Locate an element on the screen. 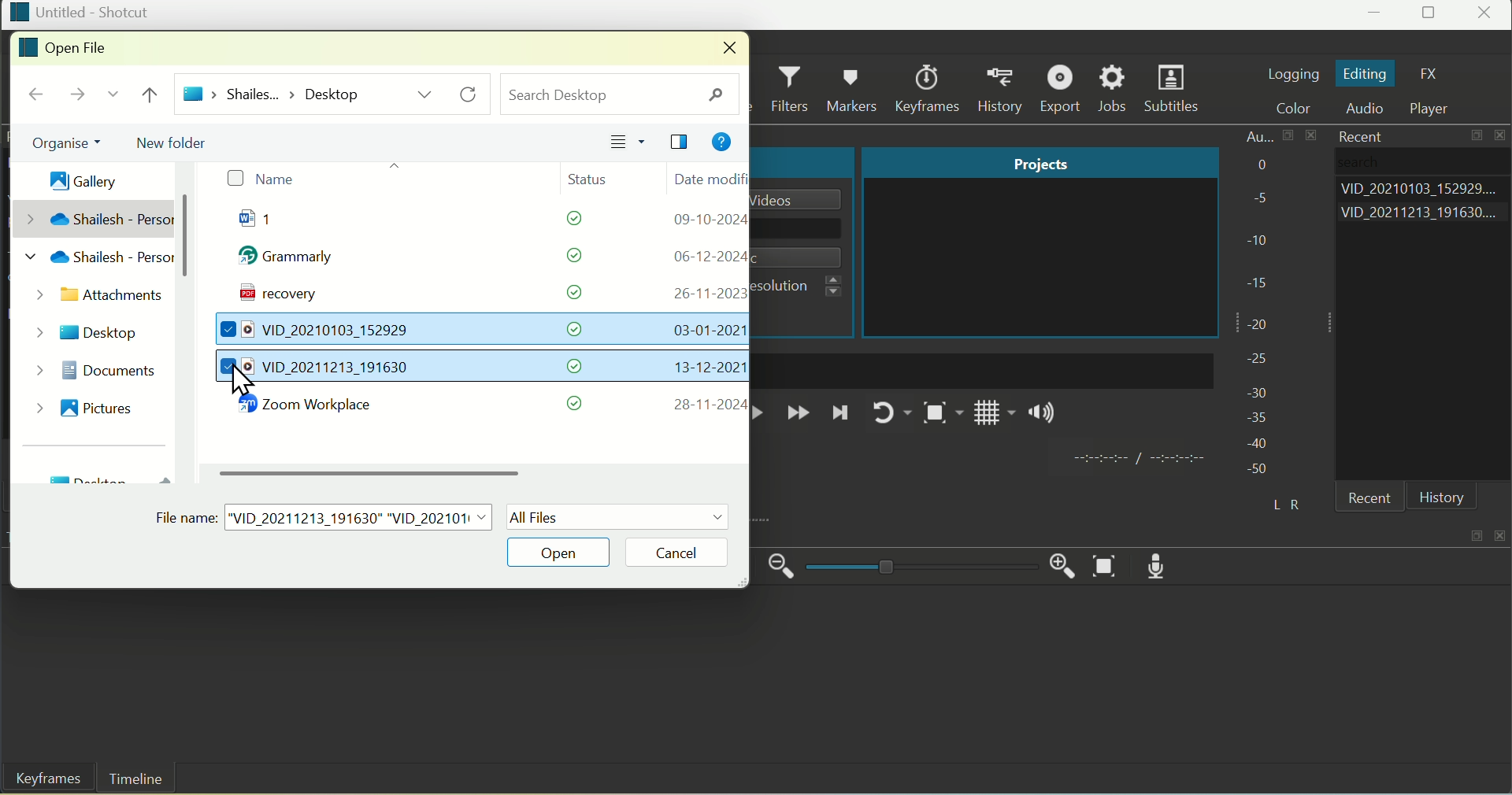 The image size is (1512, 795). status is located at coordinates (566, 292).